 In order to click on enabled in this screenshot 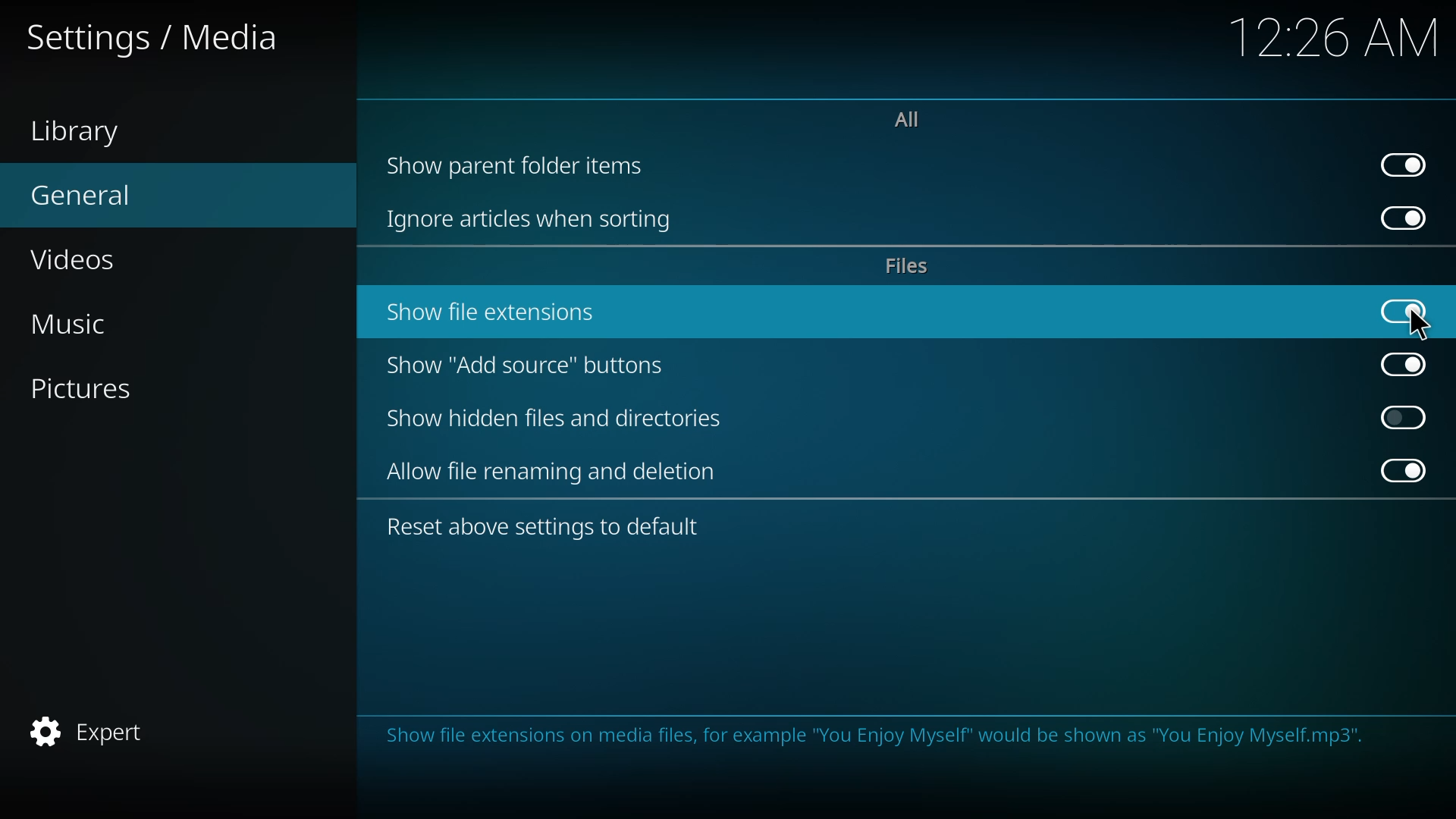, I will do `click(1409, 164)`.